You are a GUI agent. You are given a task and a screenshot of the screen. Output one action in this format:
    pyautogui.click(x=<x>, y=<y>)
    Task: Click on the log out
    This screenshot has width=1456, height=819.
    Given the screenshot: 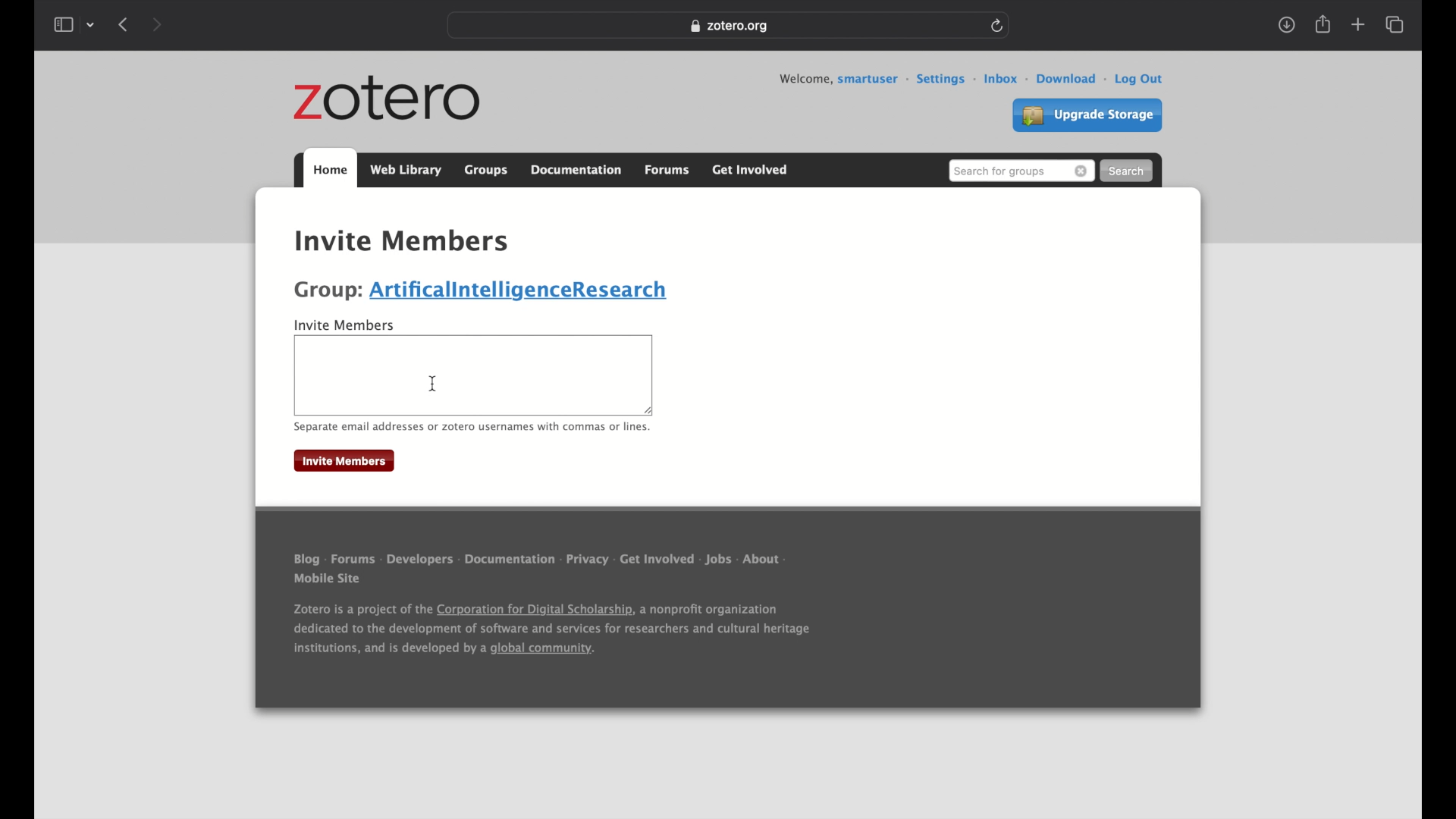 What is the action you would take?
    pyautogui.click(x=1141, y=80)
    